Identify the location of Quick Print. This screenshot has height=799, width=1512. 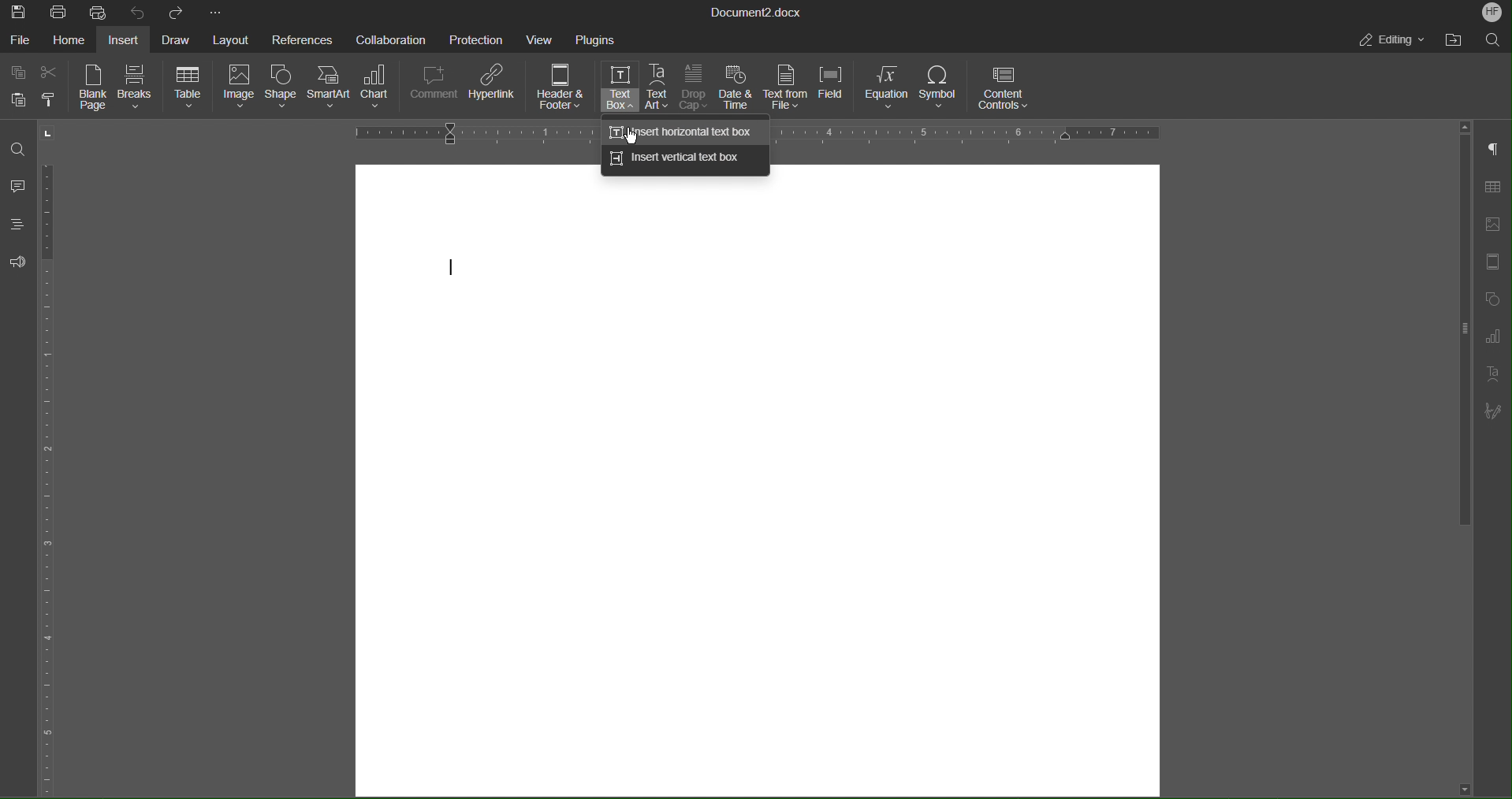
(99, 11).